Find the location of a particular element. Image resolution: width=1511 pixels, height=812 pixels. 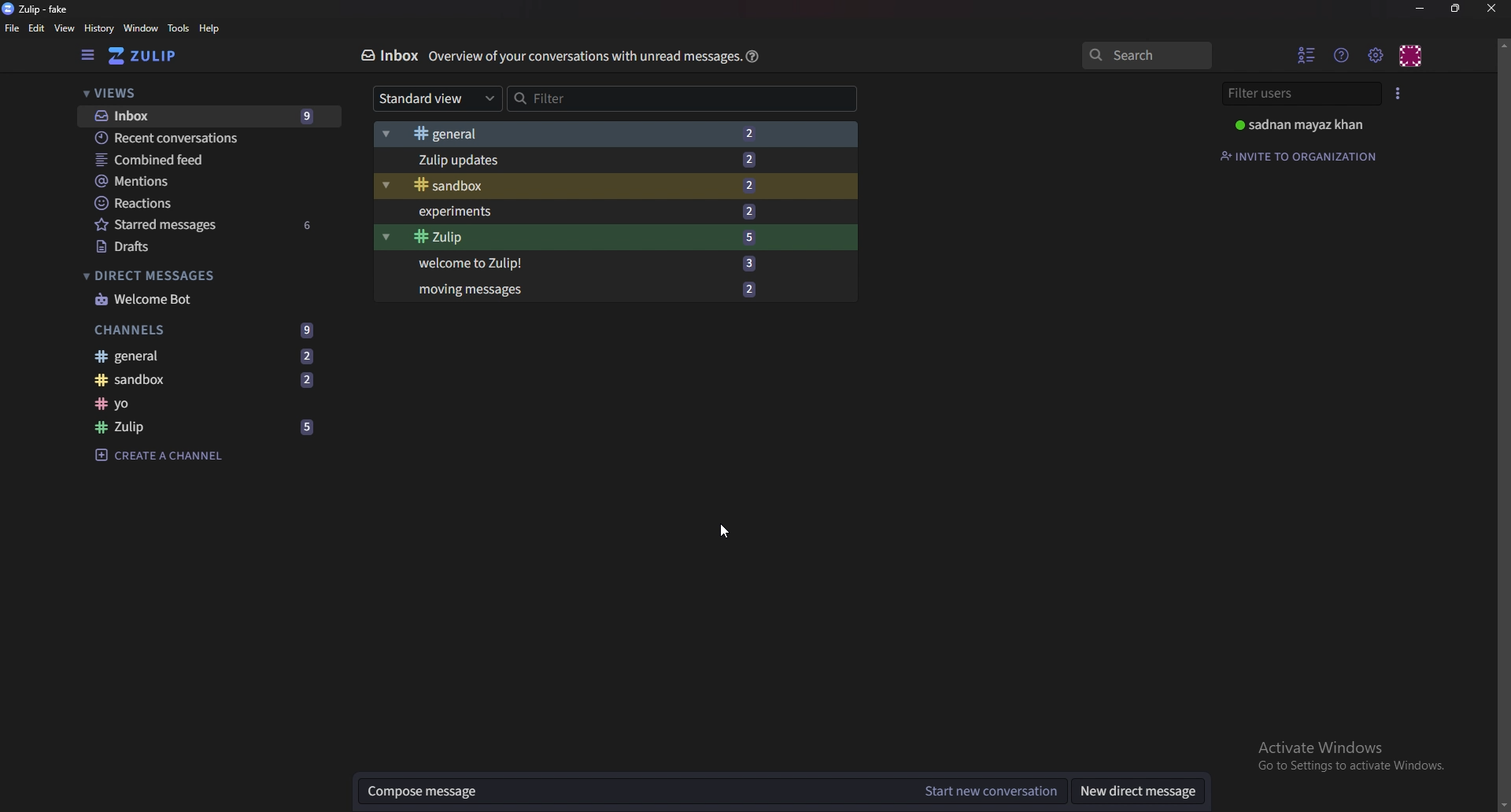

Resize is located at coordinates (1457, 9).